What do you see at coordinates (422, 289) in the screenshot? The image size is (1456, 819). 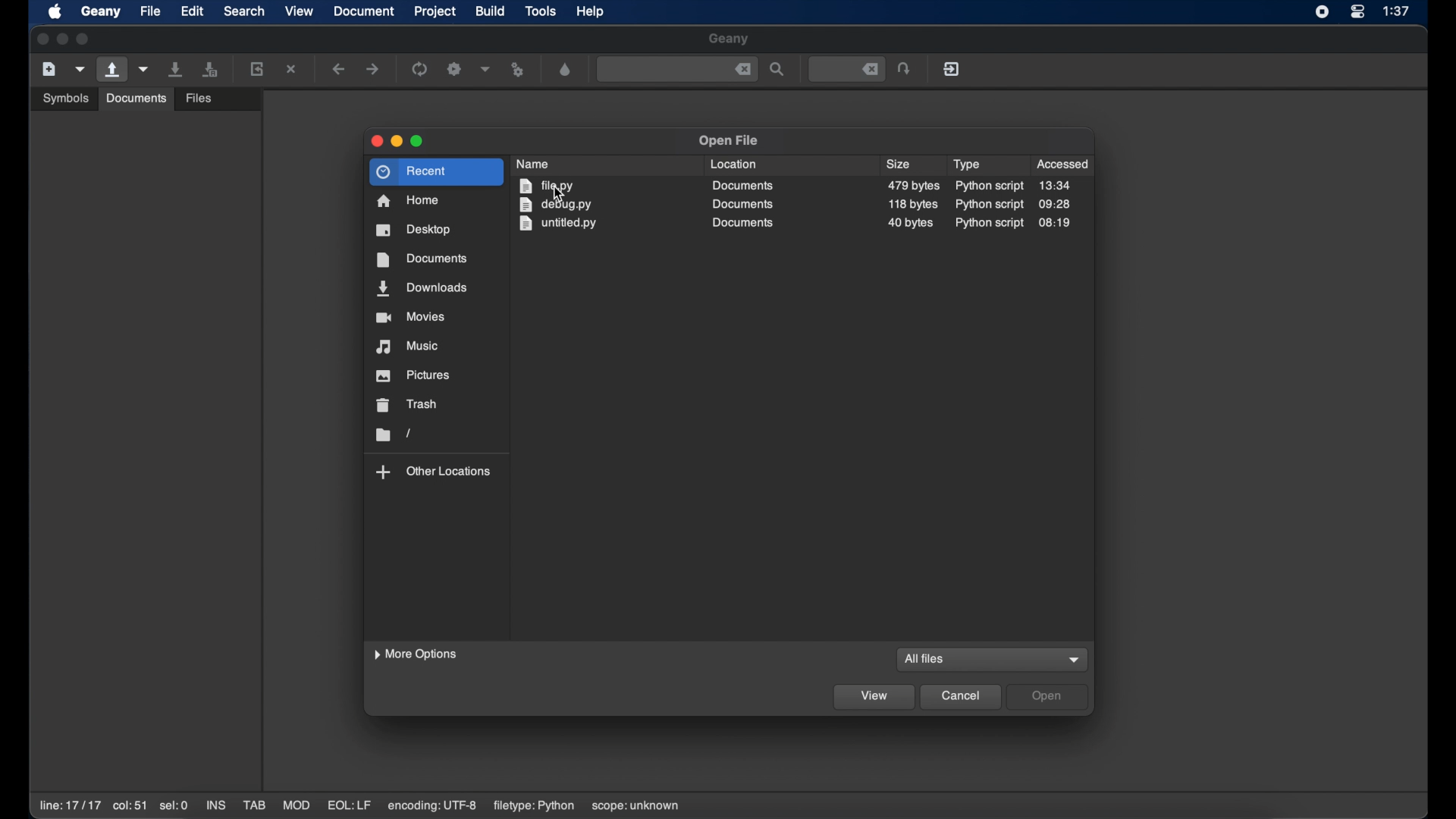 I see `downloads` at bounding box center [422, 289].